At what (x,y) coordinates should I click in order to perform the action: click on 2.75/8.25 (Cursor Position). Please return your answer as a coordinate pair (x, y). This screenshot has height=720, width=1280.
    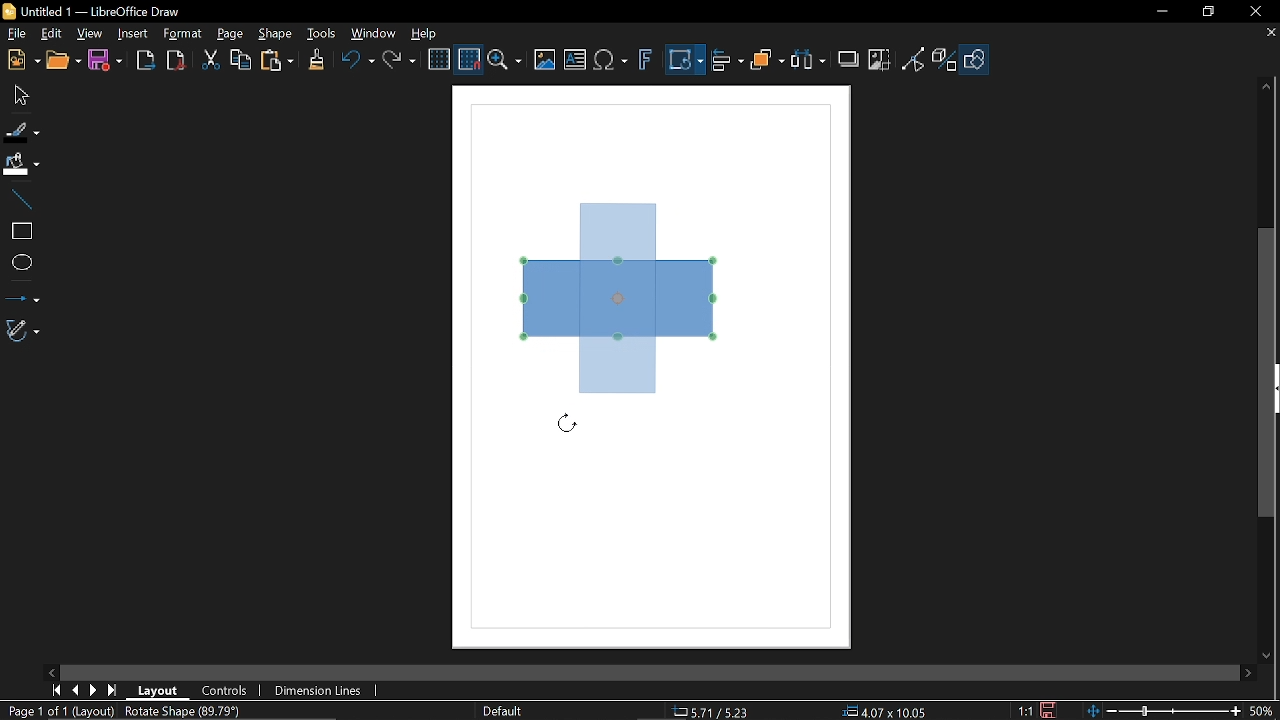
    Looking at the image, I should click on (714, 712).